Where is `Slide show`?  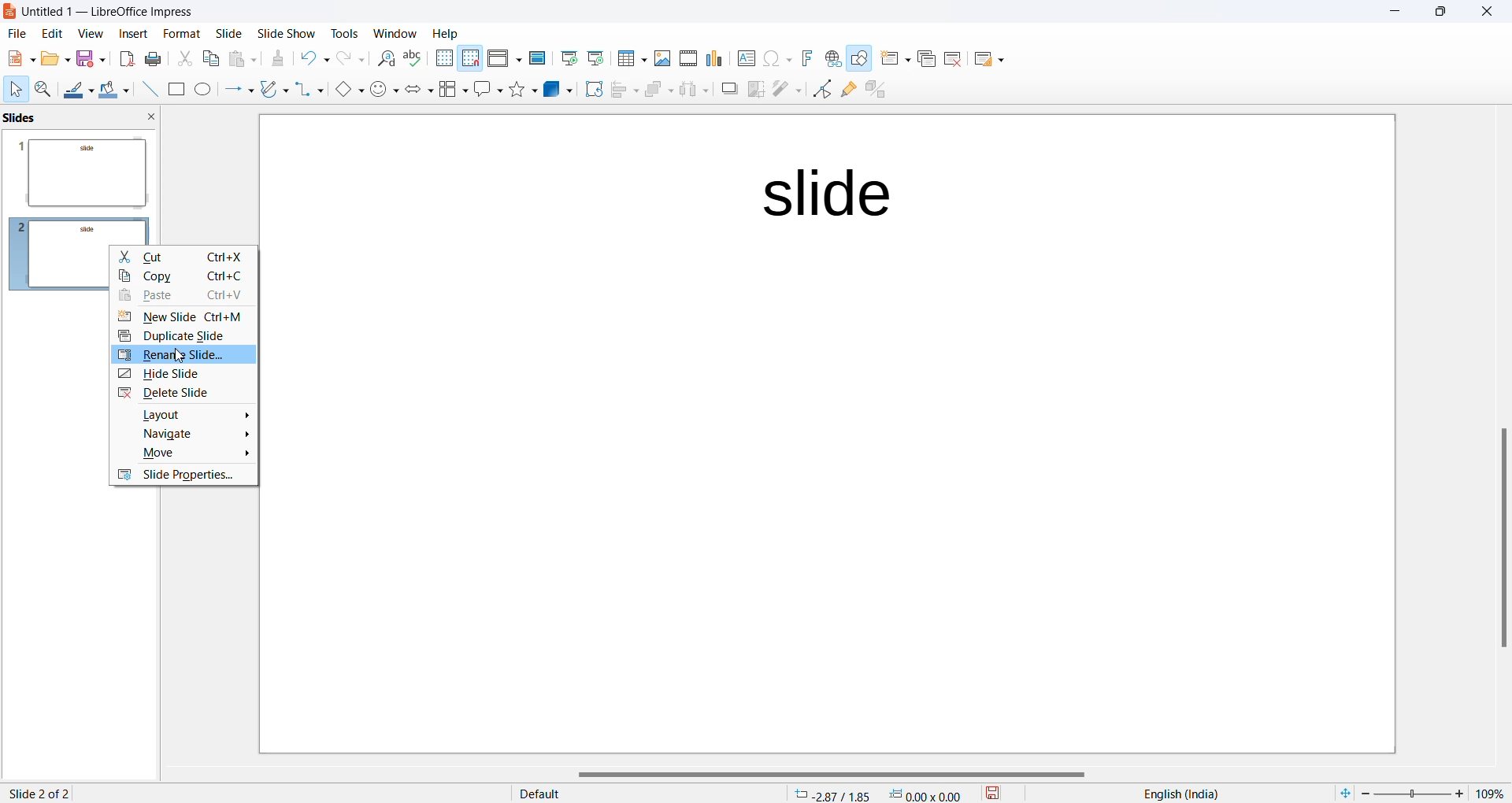
Slide show is located at coordinates (285, 31).